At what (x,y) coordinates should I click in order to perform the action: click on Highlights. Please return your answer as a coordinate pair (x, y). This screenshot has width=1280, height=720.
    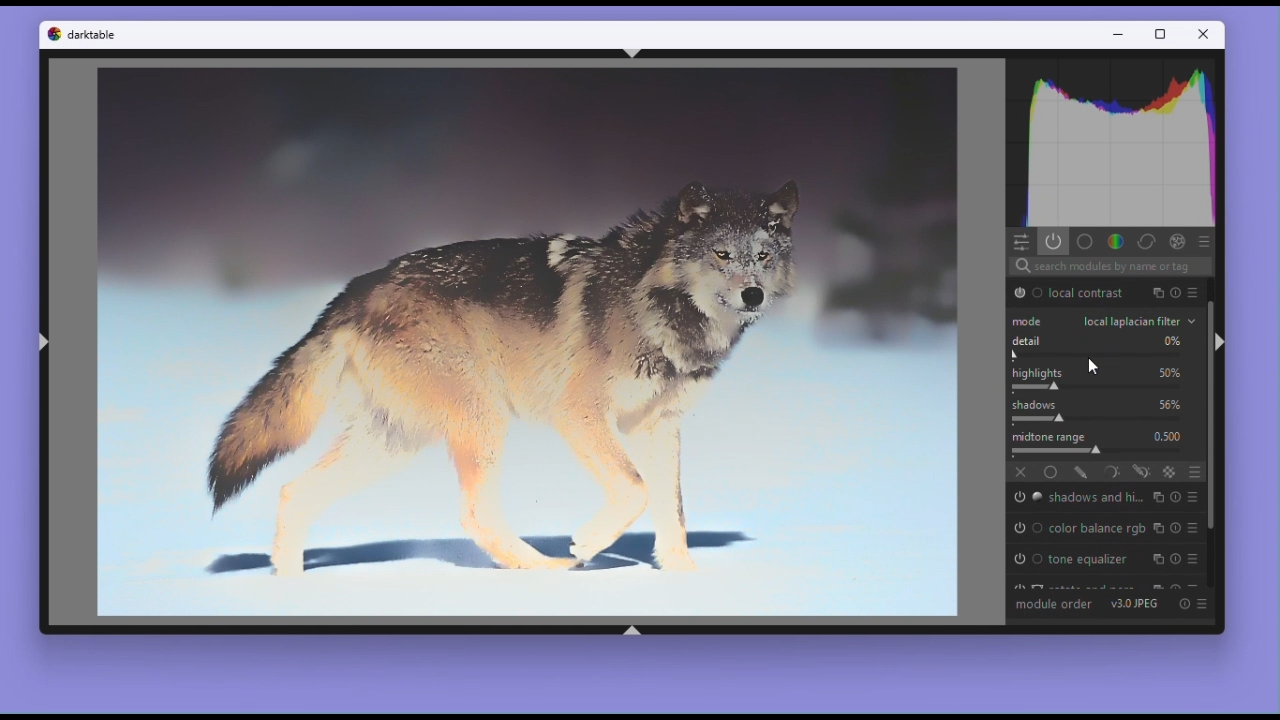
    Looking at the image, I should click on (1036, 370).